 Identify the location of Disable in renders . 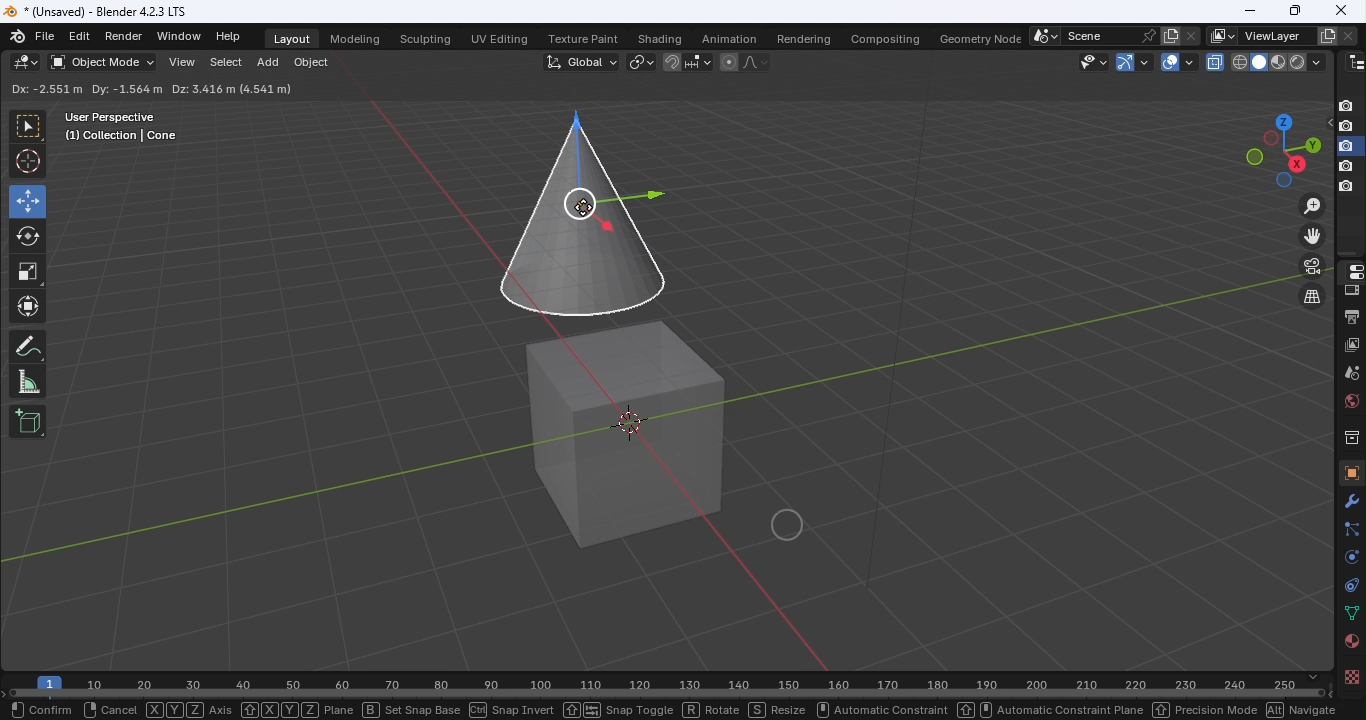
(1346, 105).